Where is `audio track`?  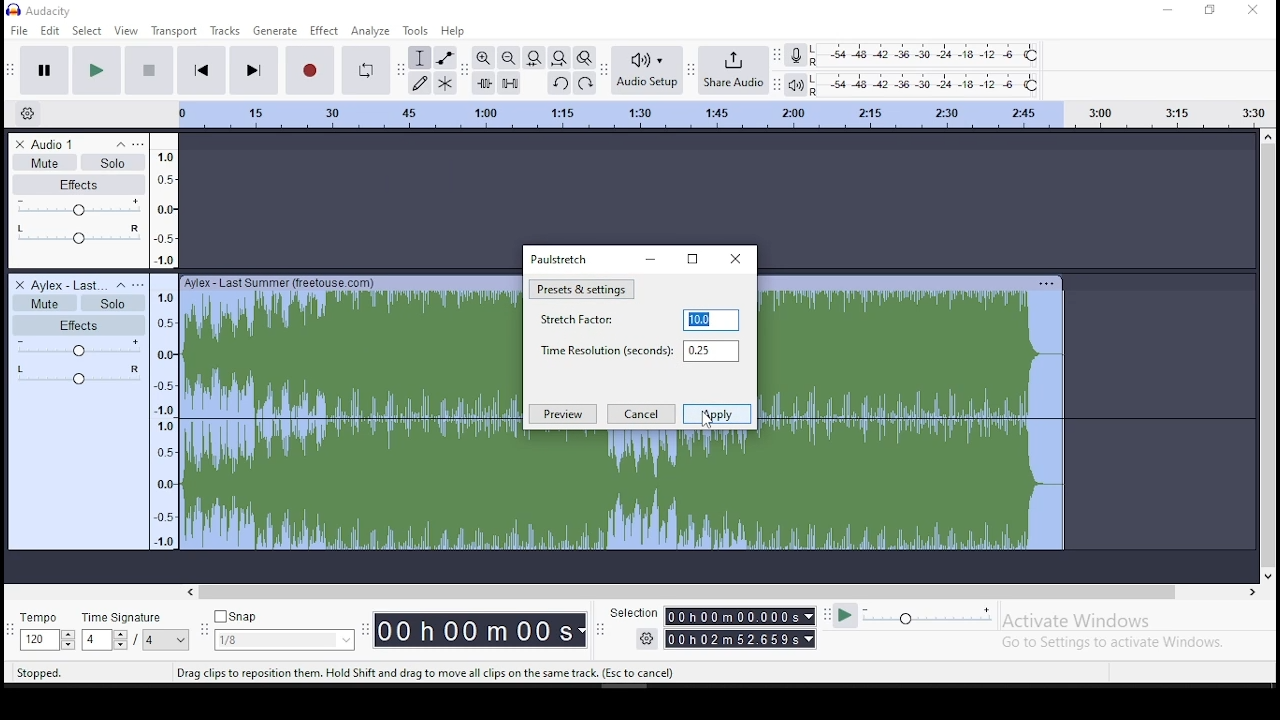 audio track is located at coordinates (913, 410).